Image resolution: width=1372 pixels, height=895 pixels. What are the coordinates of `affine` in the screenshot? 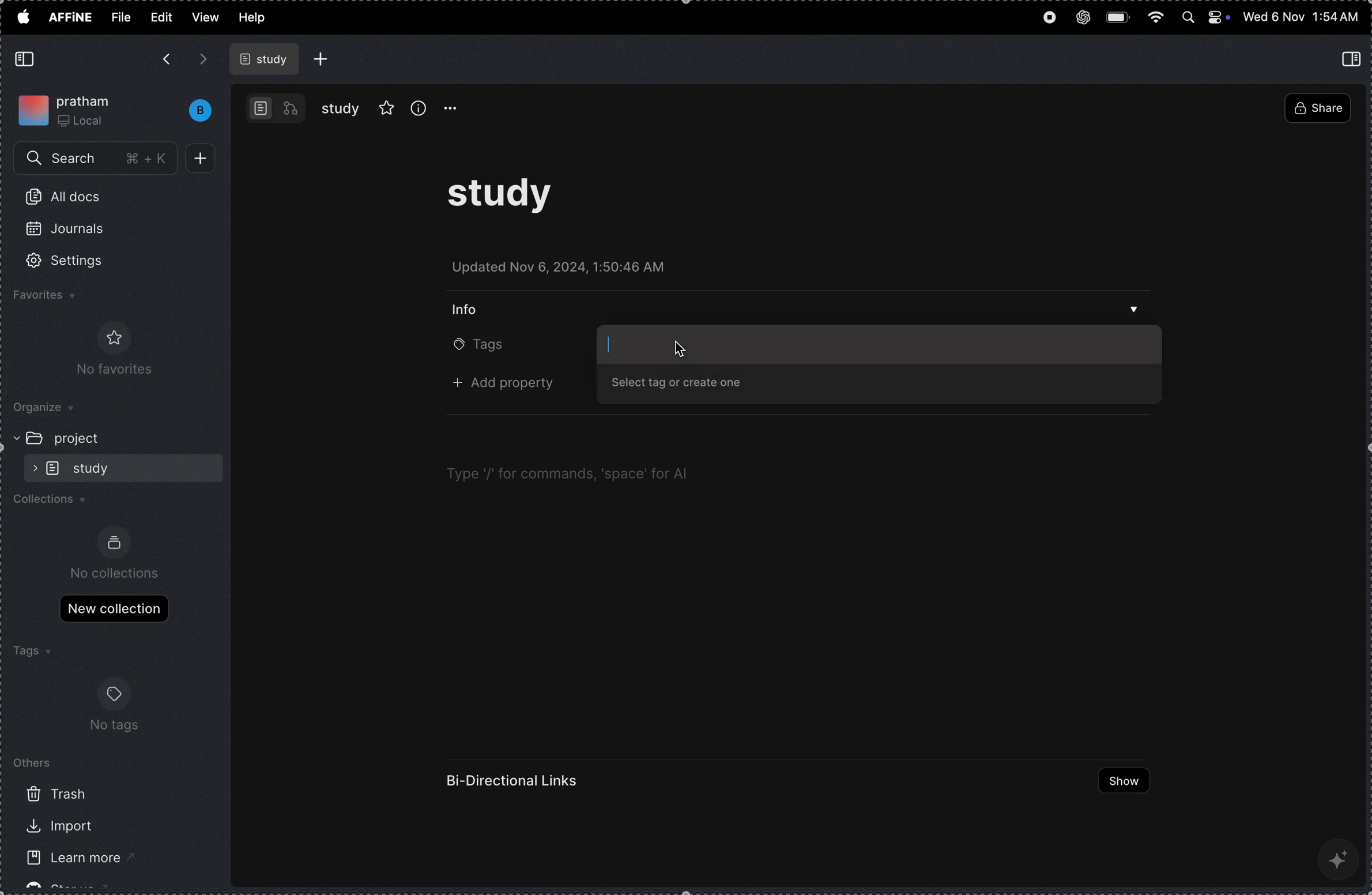 It's located at (71, 18).